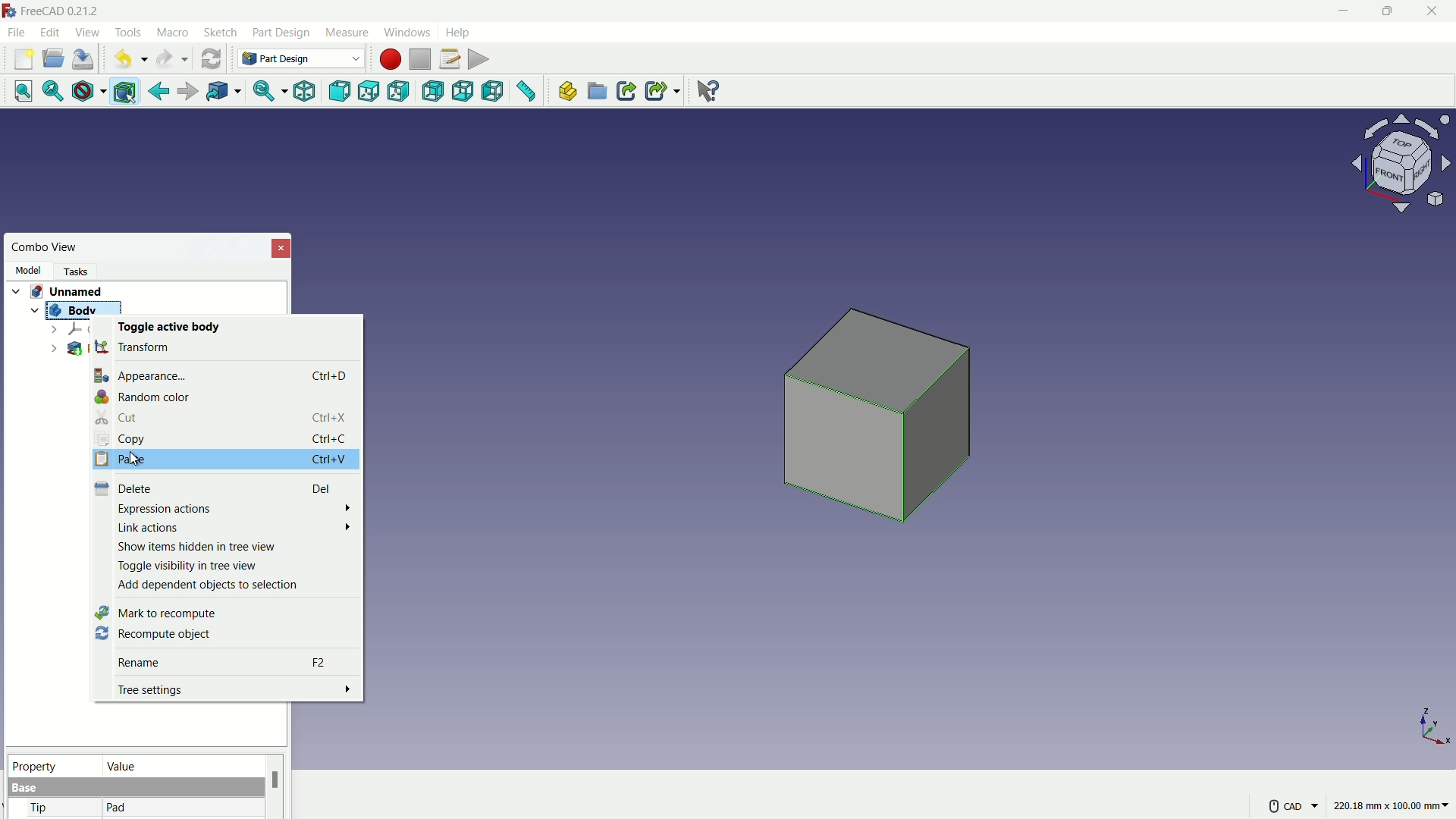 This screenshot has width=1456, height=819. I want to click on start macros, so click(389, 59).